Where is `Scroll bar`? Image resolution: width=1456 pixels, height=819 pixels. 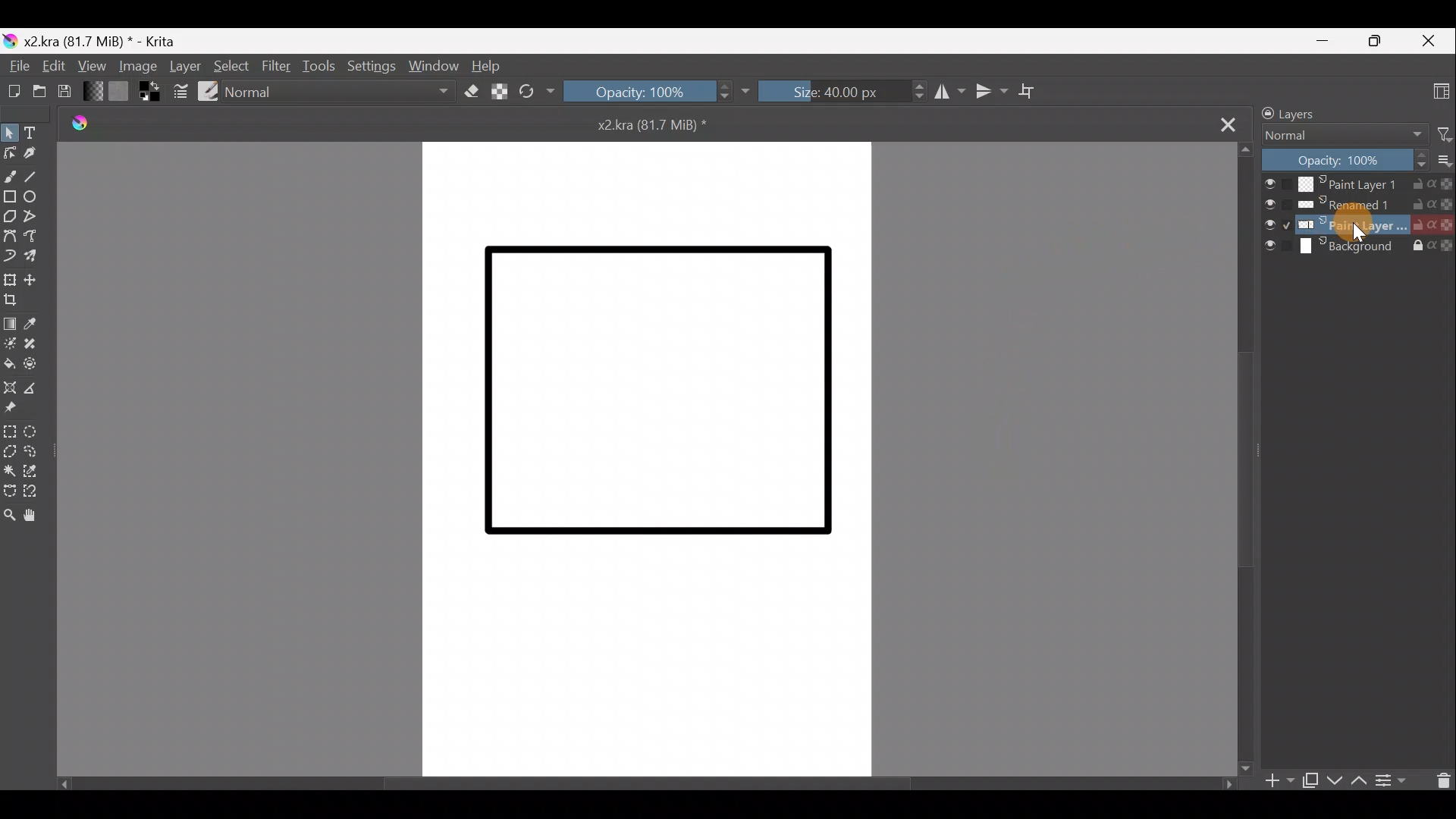
Scroll bar is located at coordinates (630, 783).